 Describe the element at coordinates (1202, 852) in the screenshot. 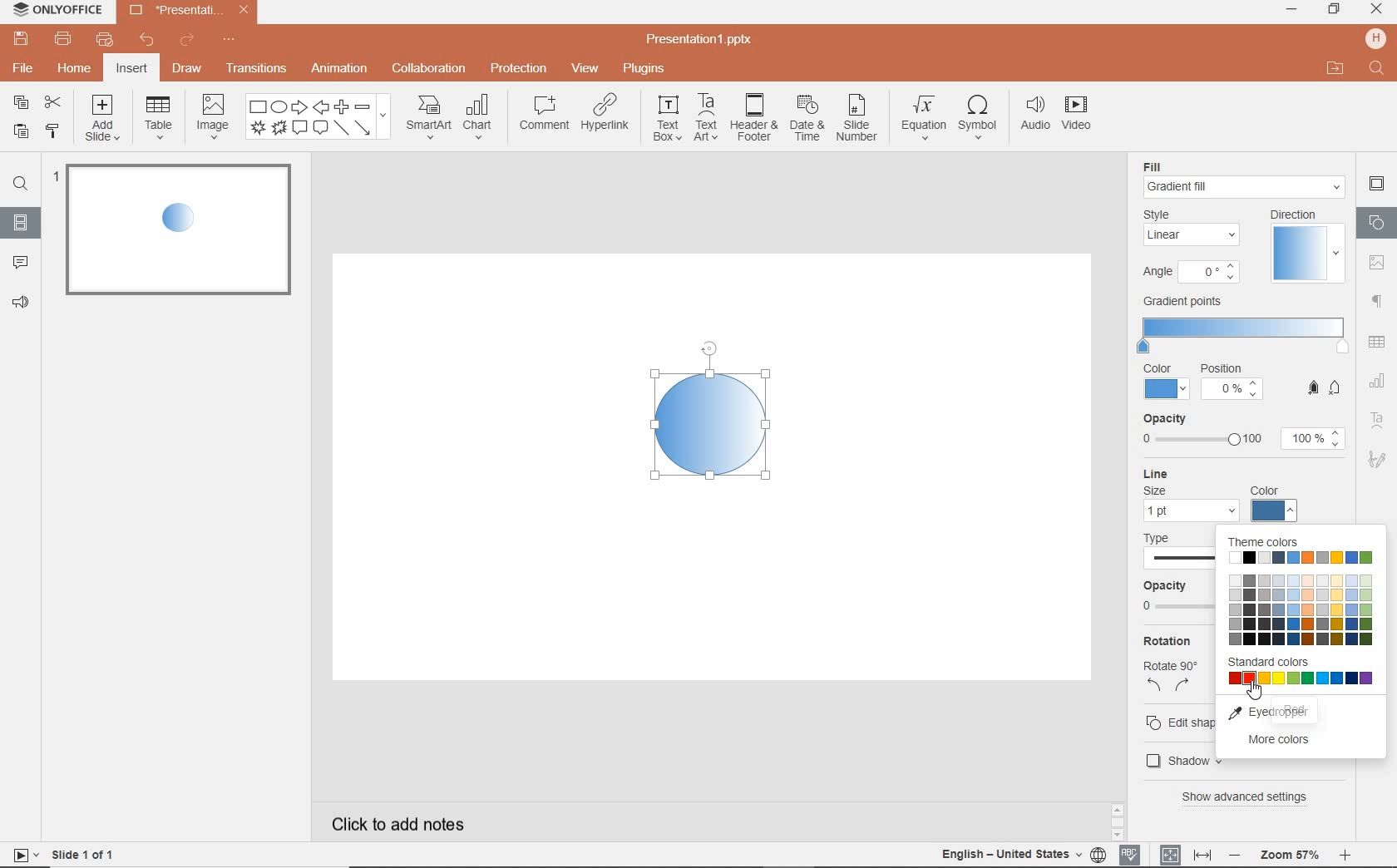

I see `fit to width` at that location.